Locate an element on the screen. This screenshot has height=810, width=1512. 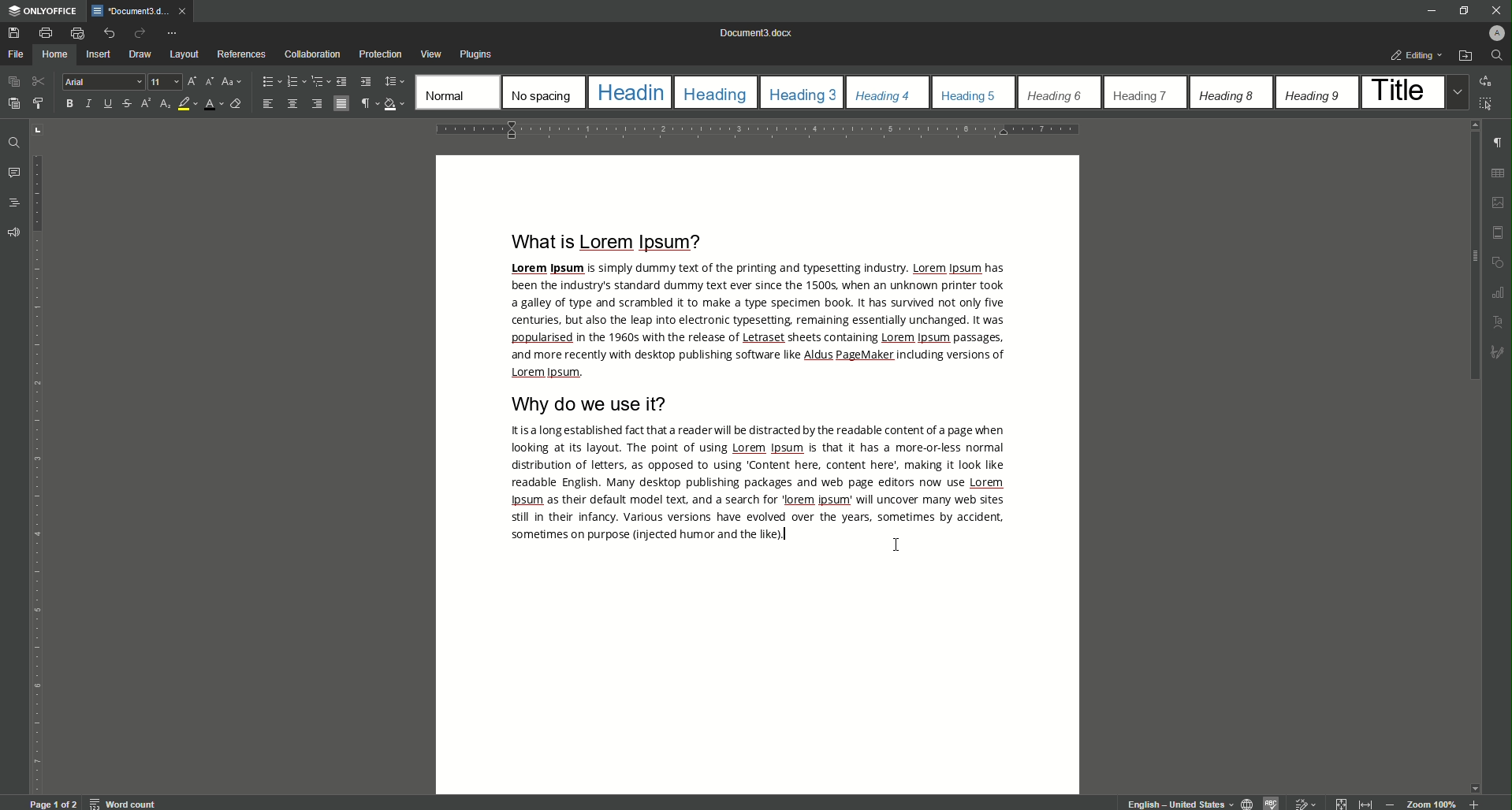
Text uppercase is located at coordinates (1501, 322).